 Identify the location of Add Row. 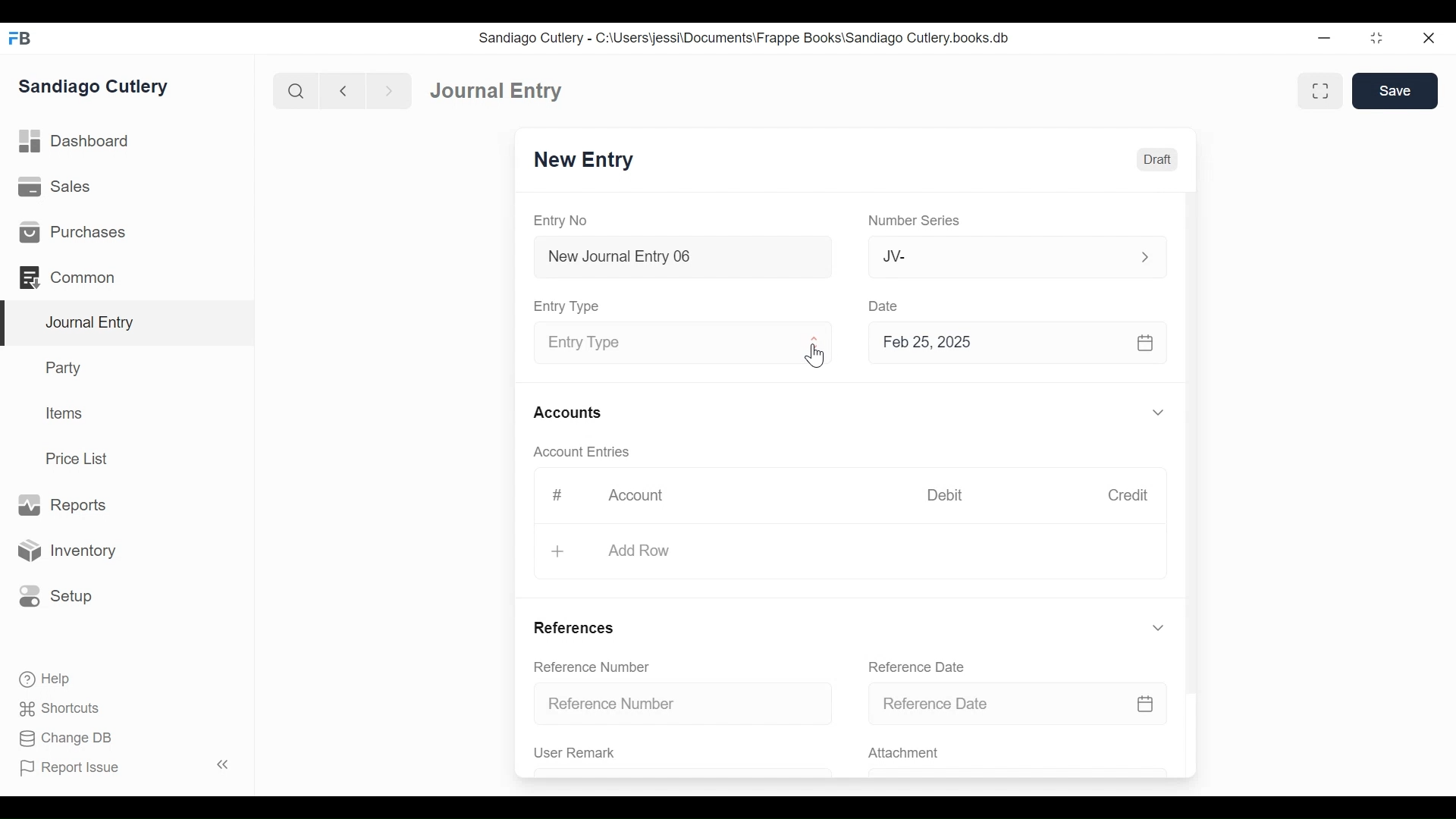
(637, 551).